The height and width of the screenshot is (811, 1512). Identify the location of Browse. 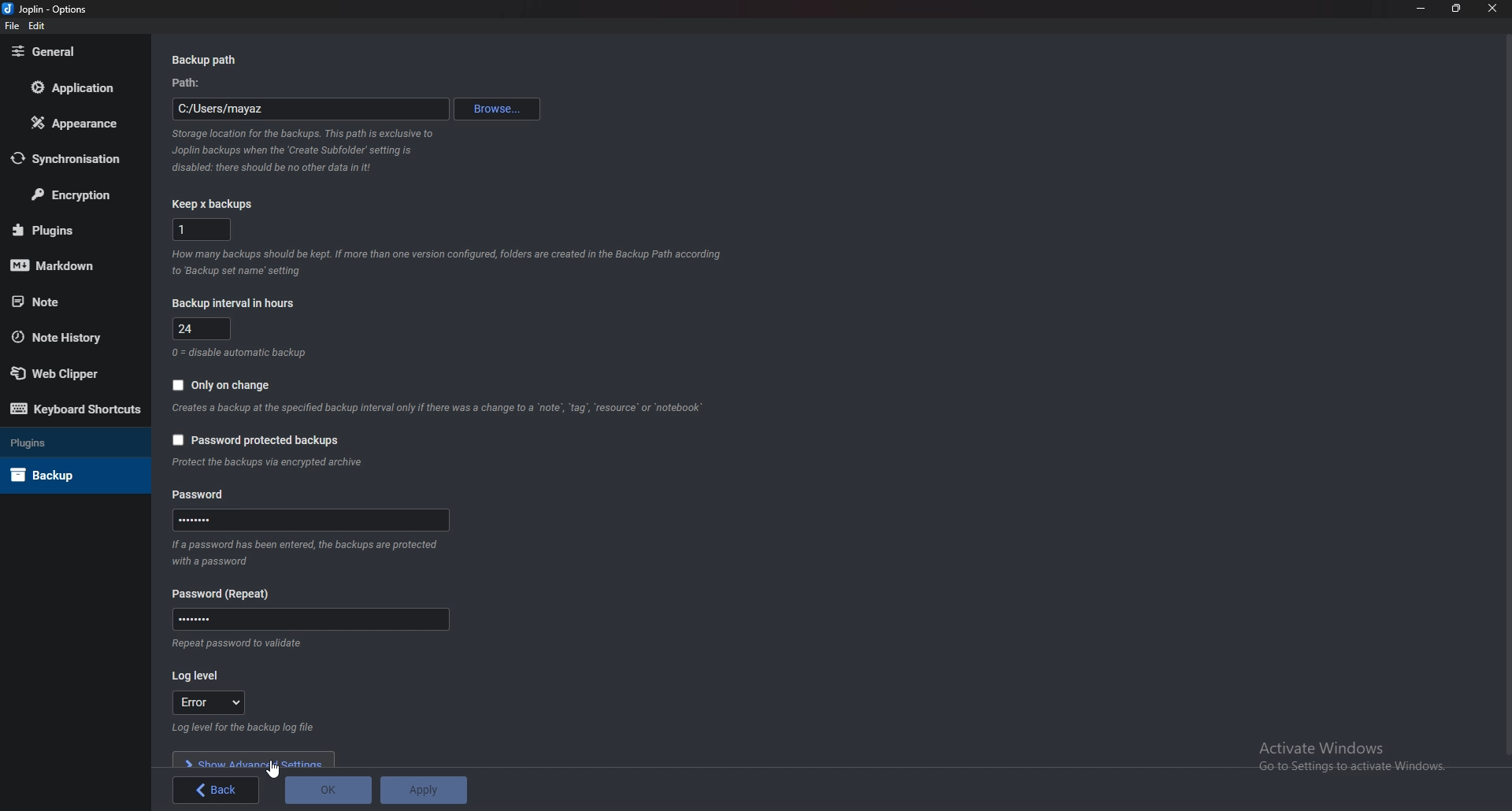
(502, 109).